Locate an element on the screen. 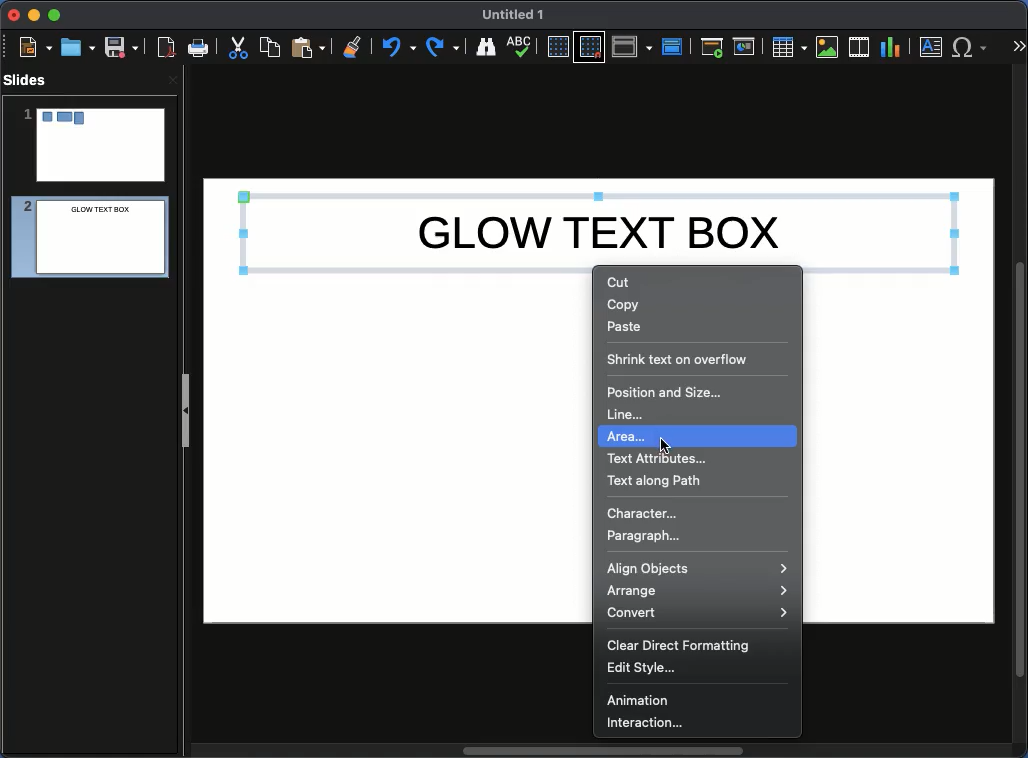  Print is located at coordinates (199, 49).